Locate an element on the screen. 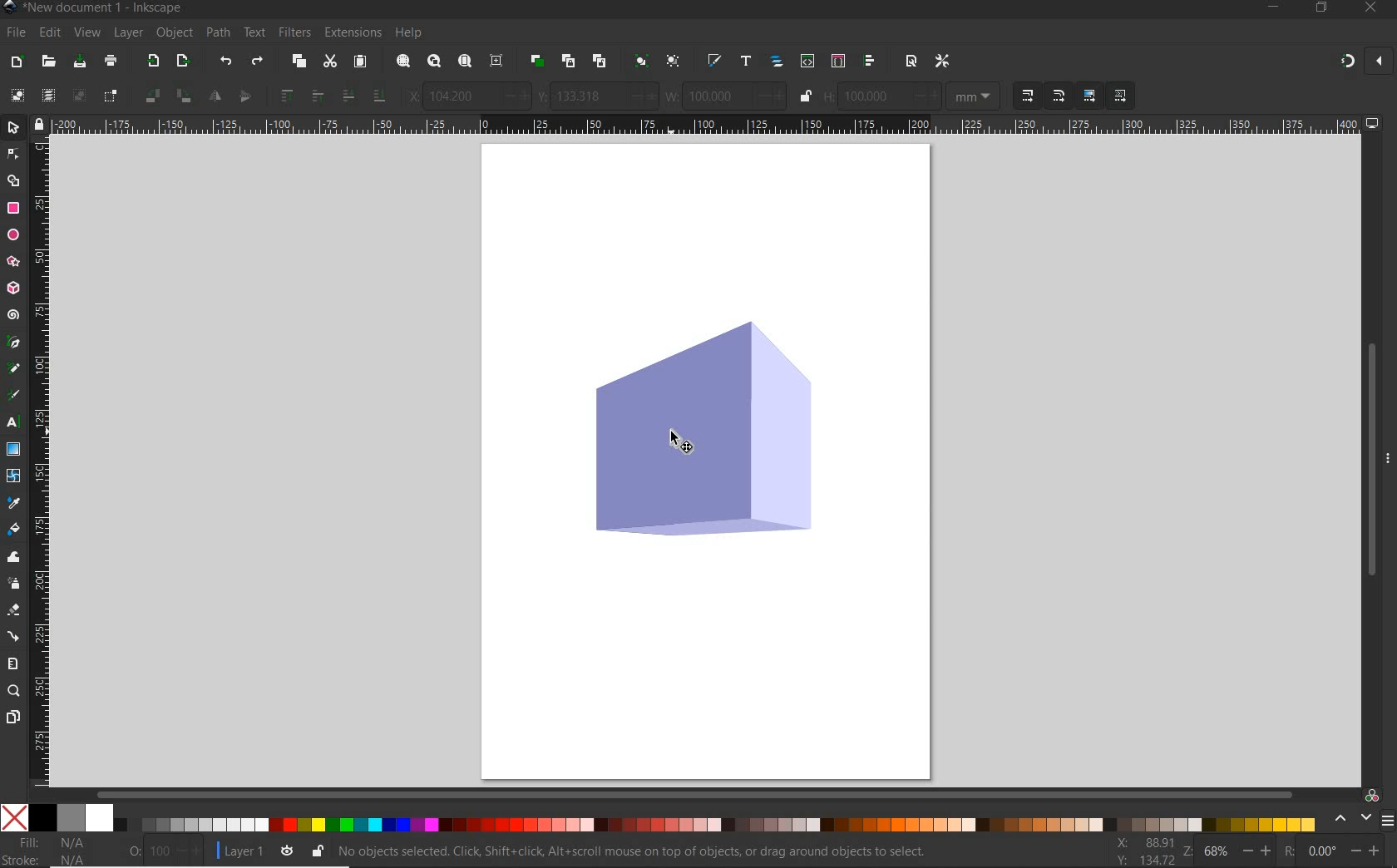 The image size is (1397, 868). ROTATION is located at coordinates (1287, 851).